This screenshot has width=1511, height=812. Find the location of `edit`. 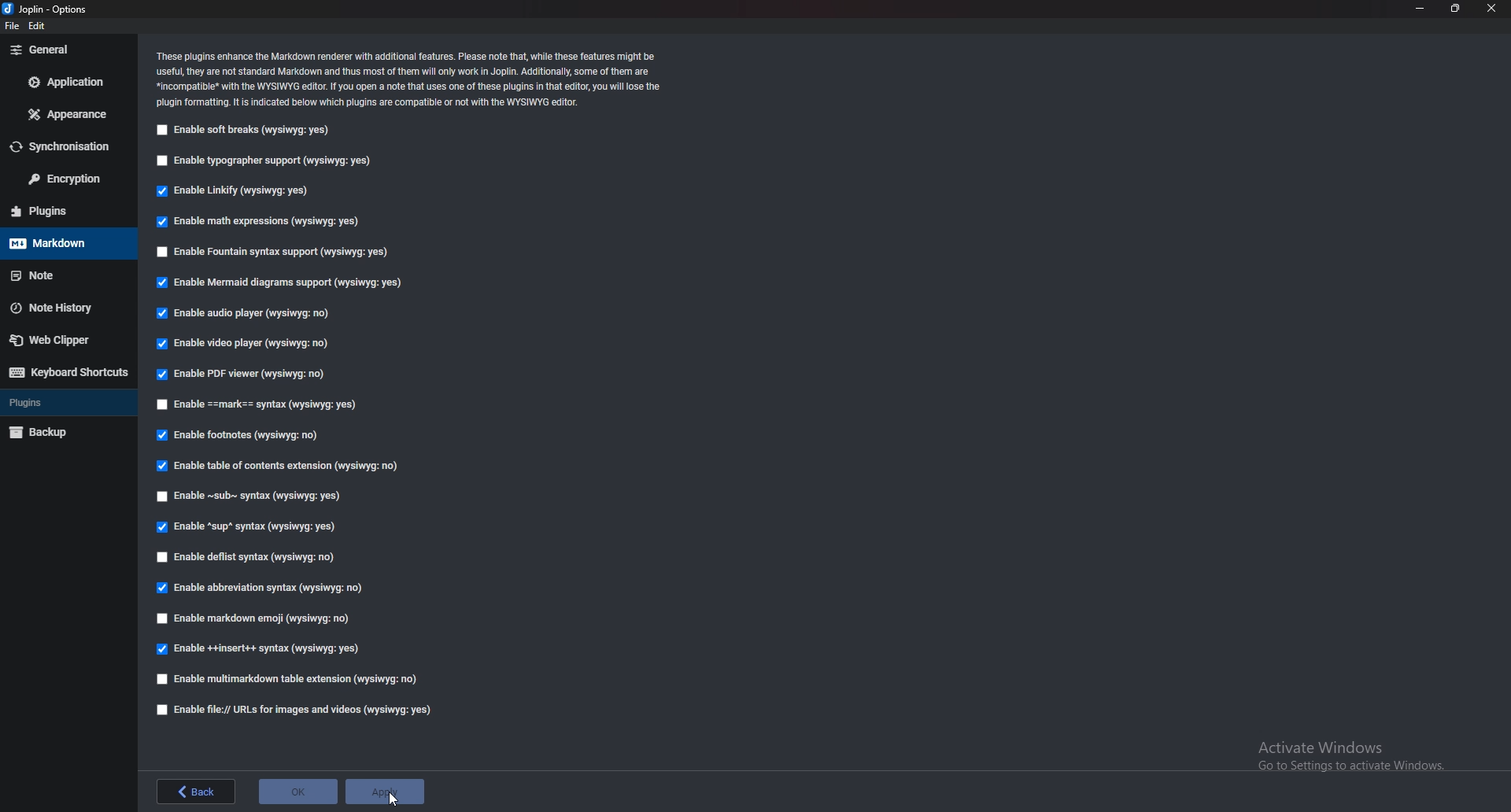

edit is located at coordinates (39, 26).